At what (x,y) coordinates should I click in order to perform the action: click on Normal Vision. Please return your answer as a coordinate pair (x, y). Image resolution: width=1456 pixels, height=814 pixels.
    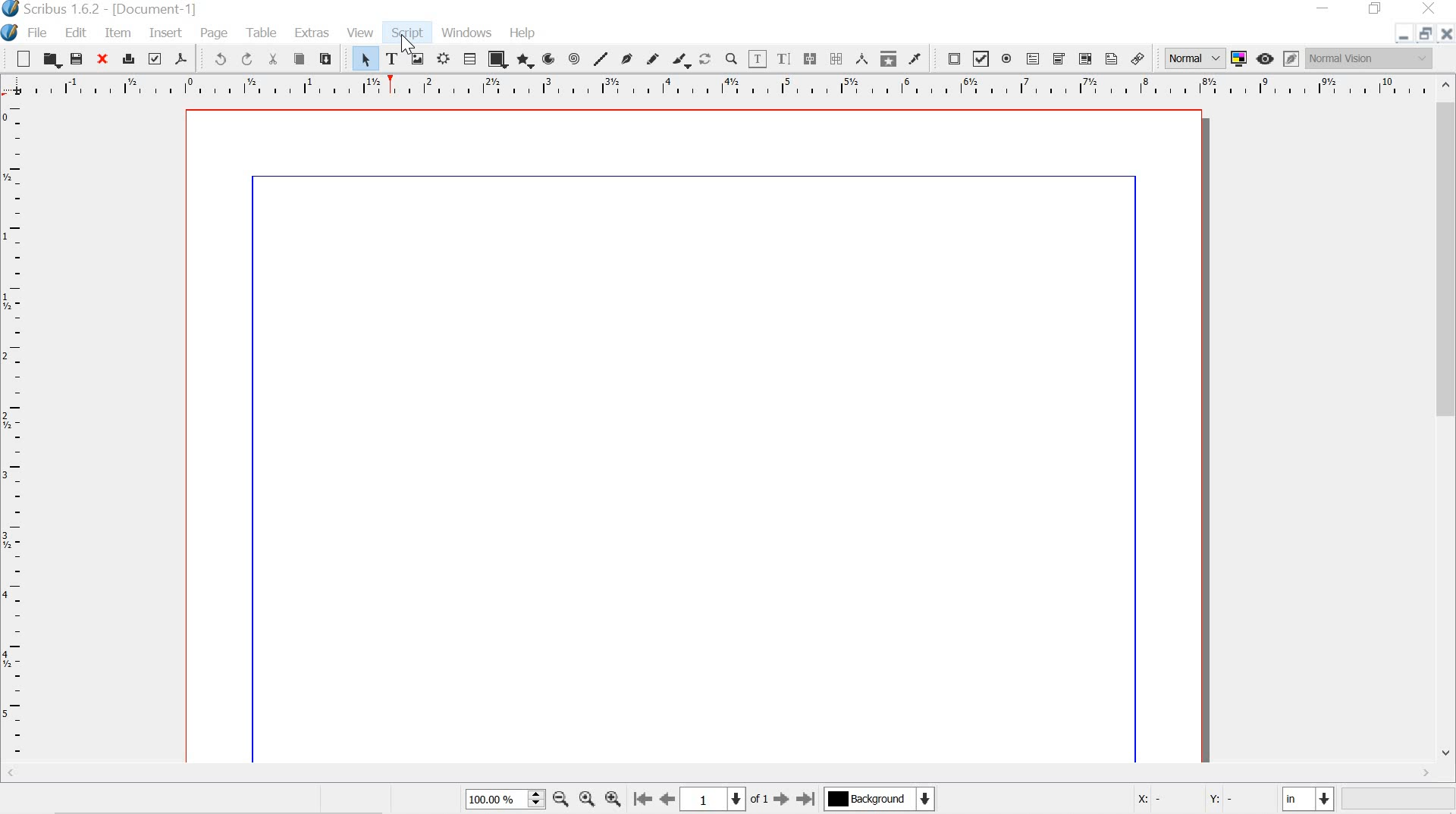
    Looking at the image, I should click on (1369, 58).